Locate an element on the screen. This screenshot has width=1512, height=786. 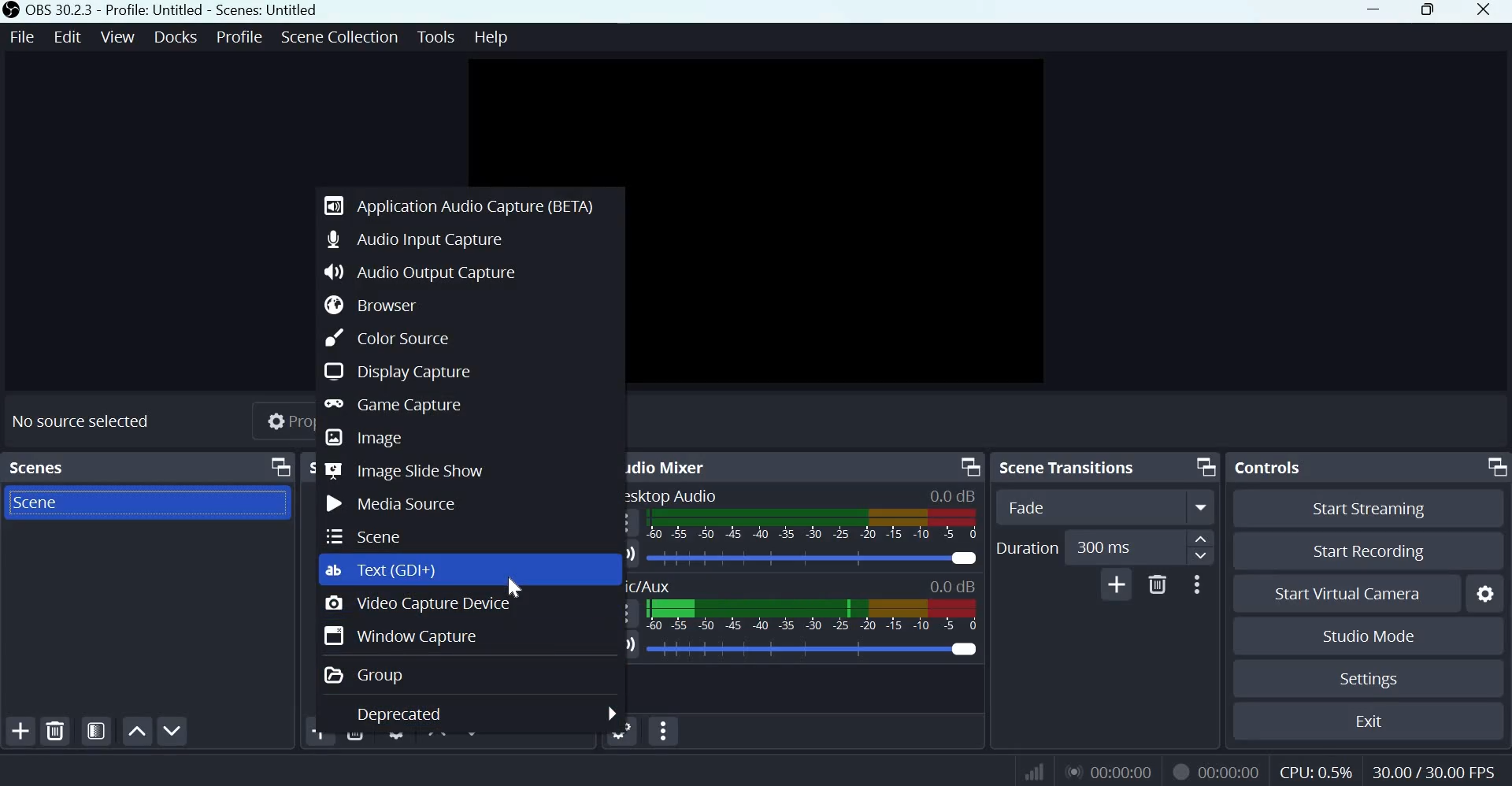
Configure virtual camera is located at coordinates (1485, 594).